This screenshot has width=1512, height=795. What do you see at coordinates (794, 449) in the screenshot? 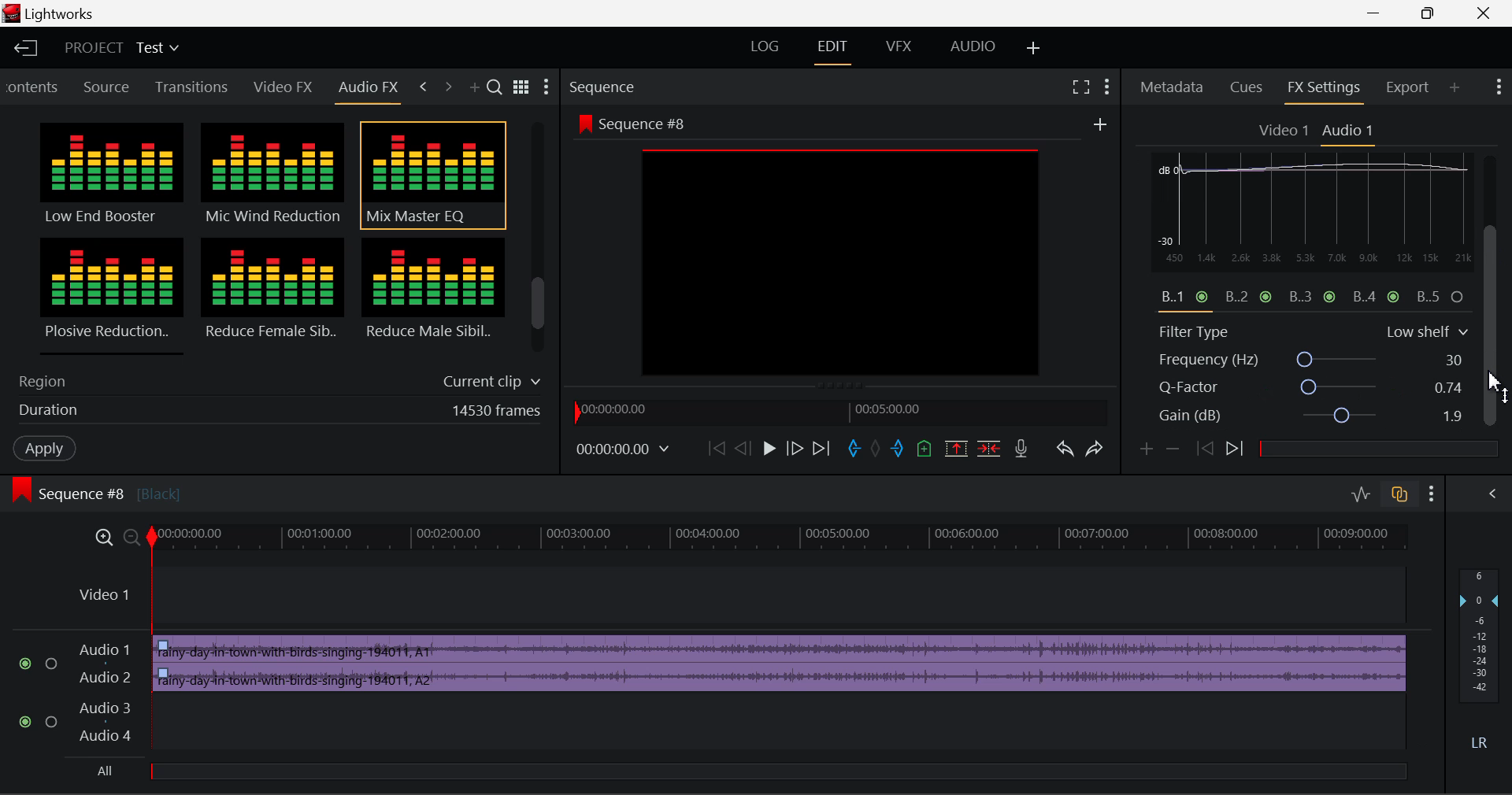
I see `Go Forward` at bounding box center [794, 449].